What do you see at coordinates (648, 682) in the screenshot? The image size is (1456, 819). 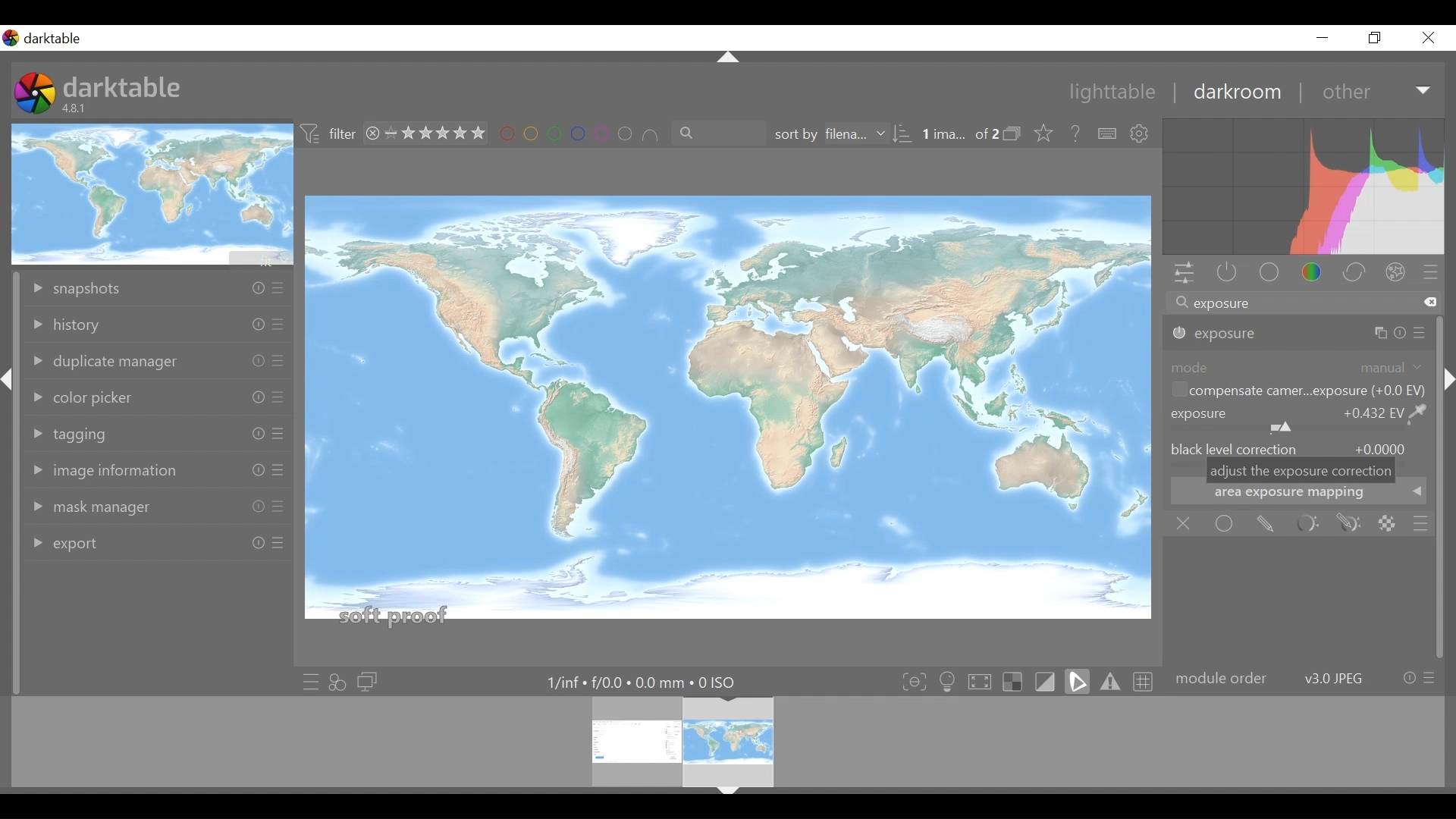 I see `Maximum Exposure` at bounding box center [648, 682].